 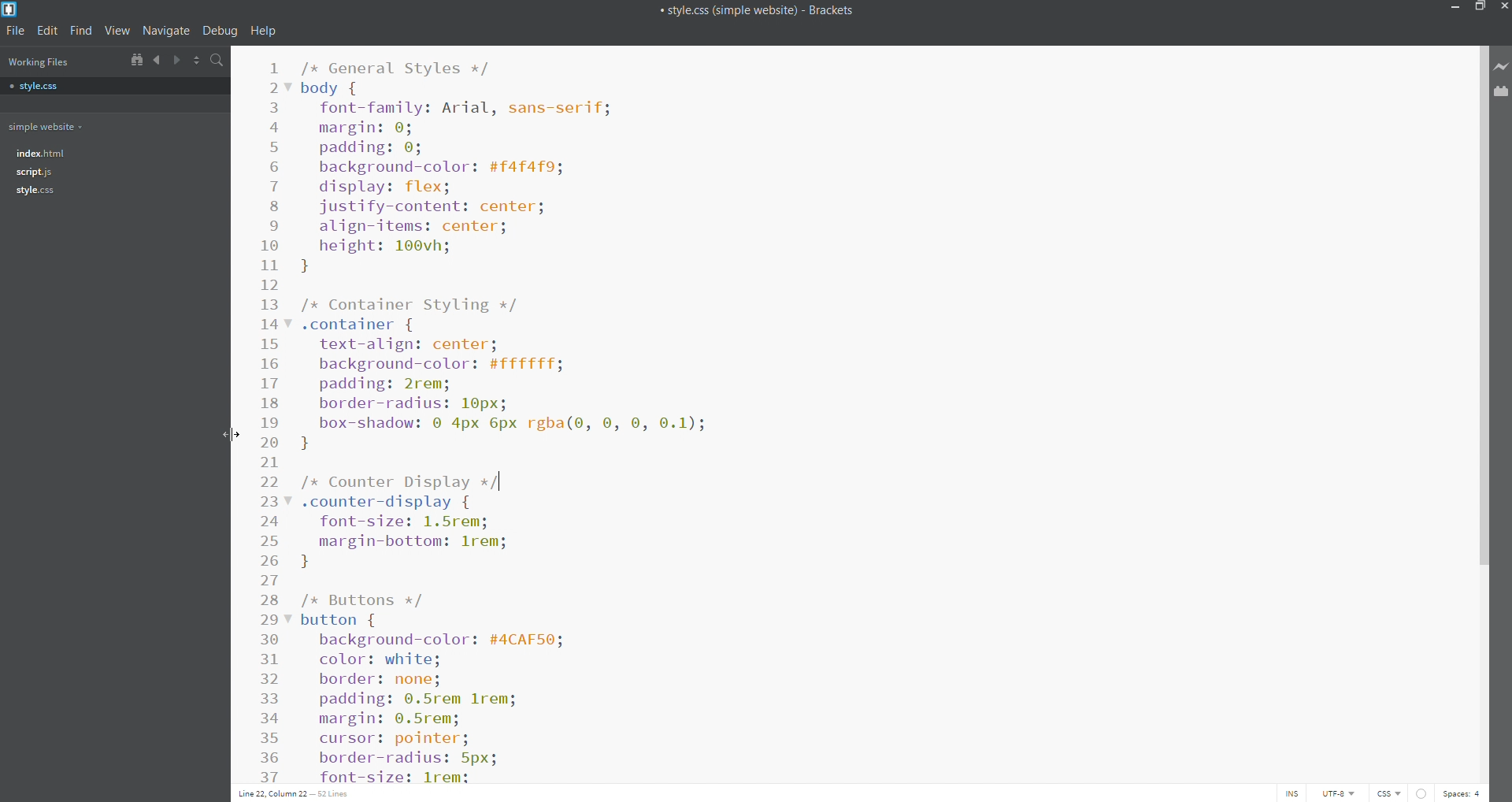 I want to click on space count, so click(x=1462, y=794).